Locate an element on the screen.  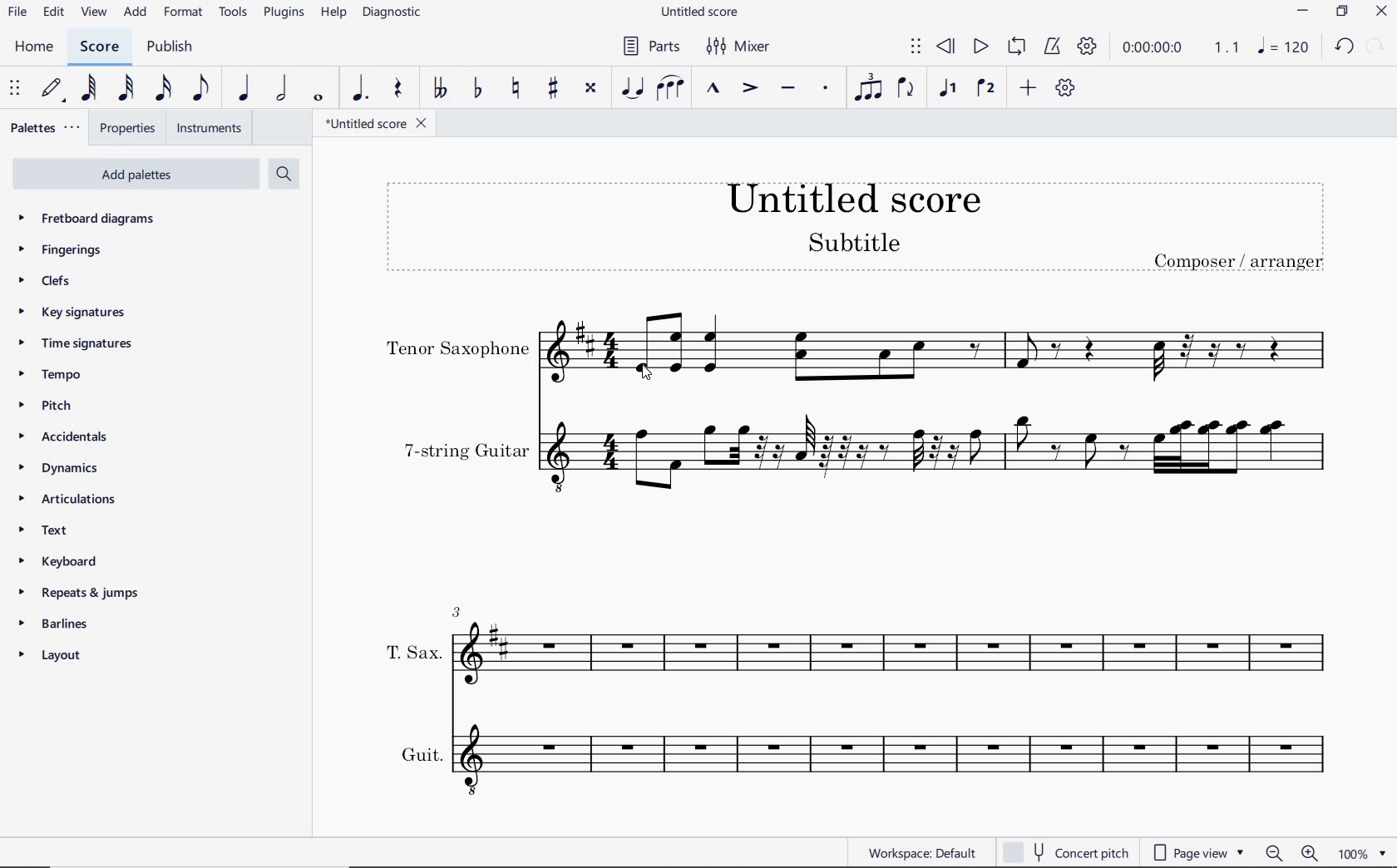
DIAGNOSTIC is located at coordinates (394, 12).